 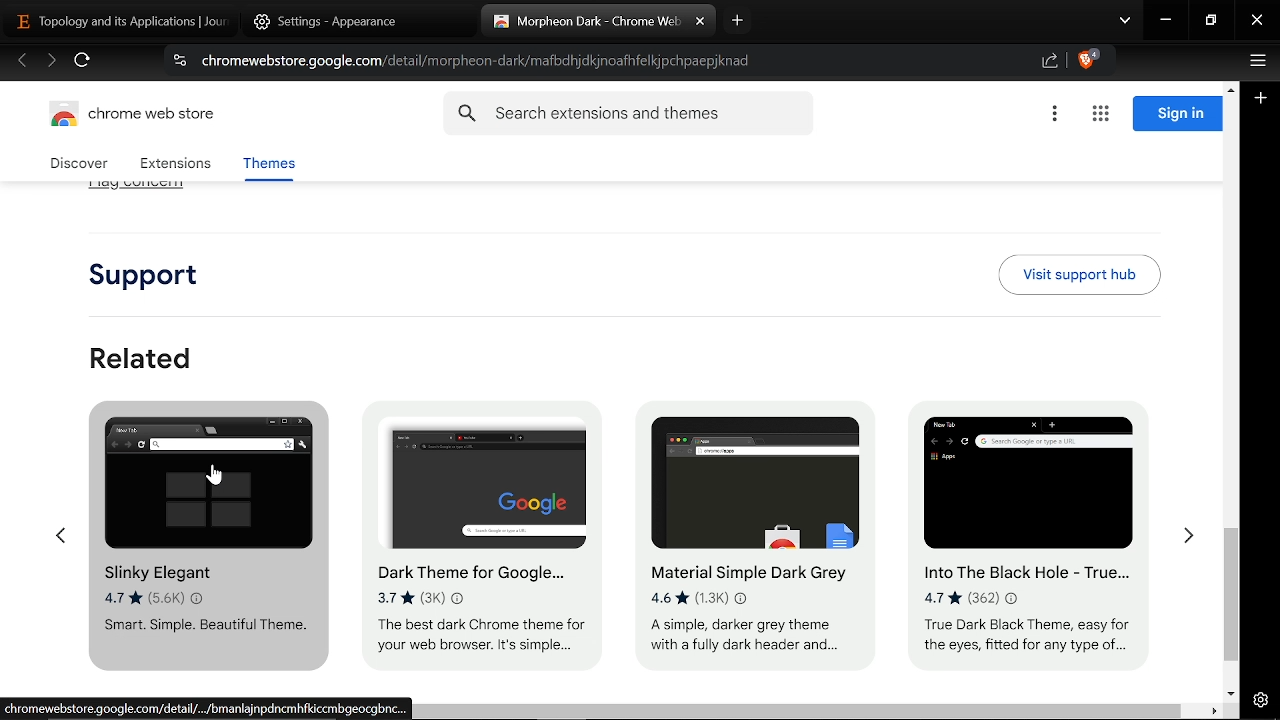 What do you see at coordinates (1050, 62) in the screenshot?
I see `Share link` at bounding box center [1050, 62].